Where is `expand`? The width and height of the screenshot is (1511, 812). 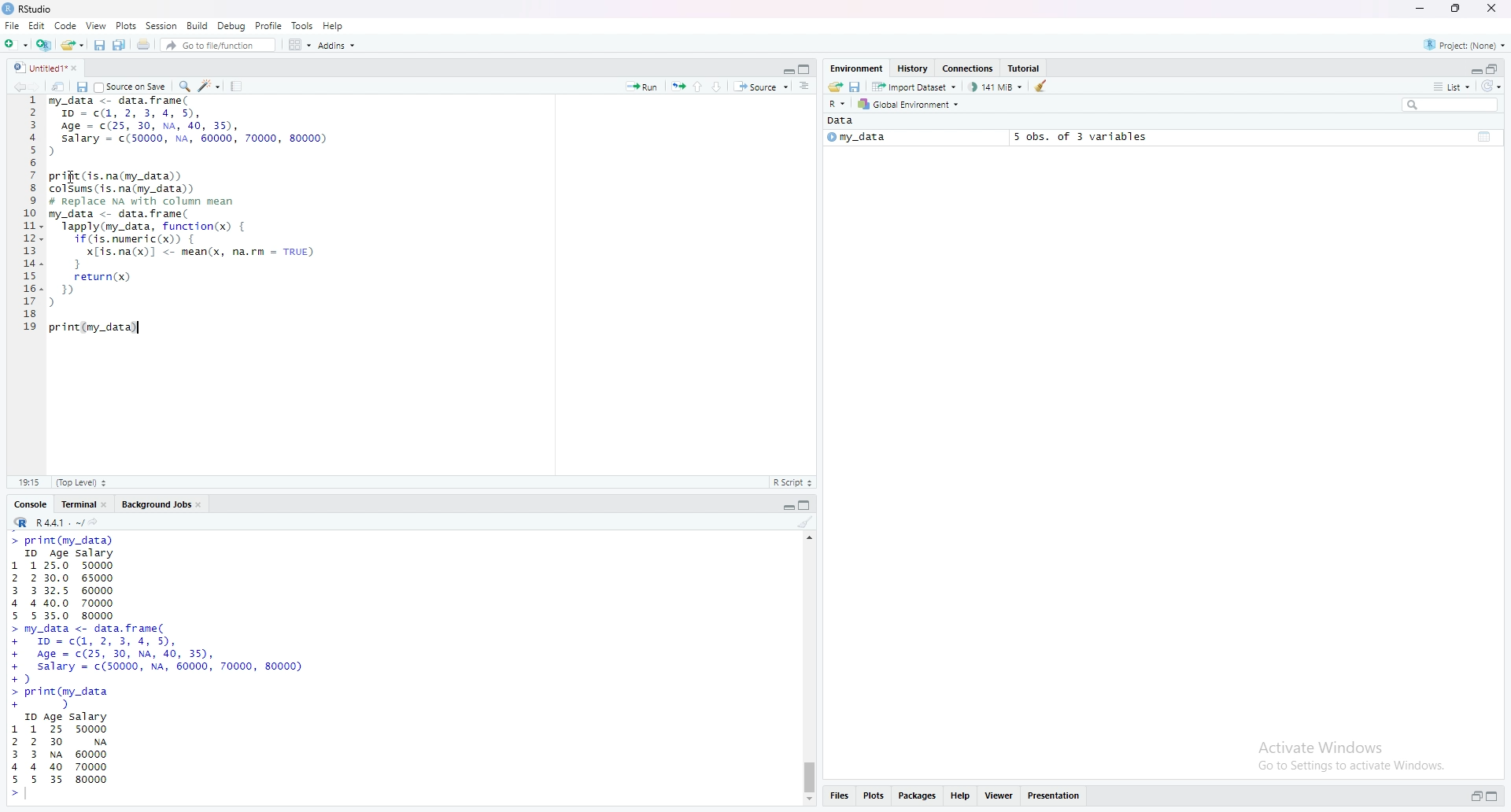 expand is located at coordinates (786, 70).